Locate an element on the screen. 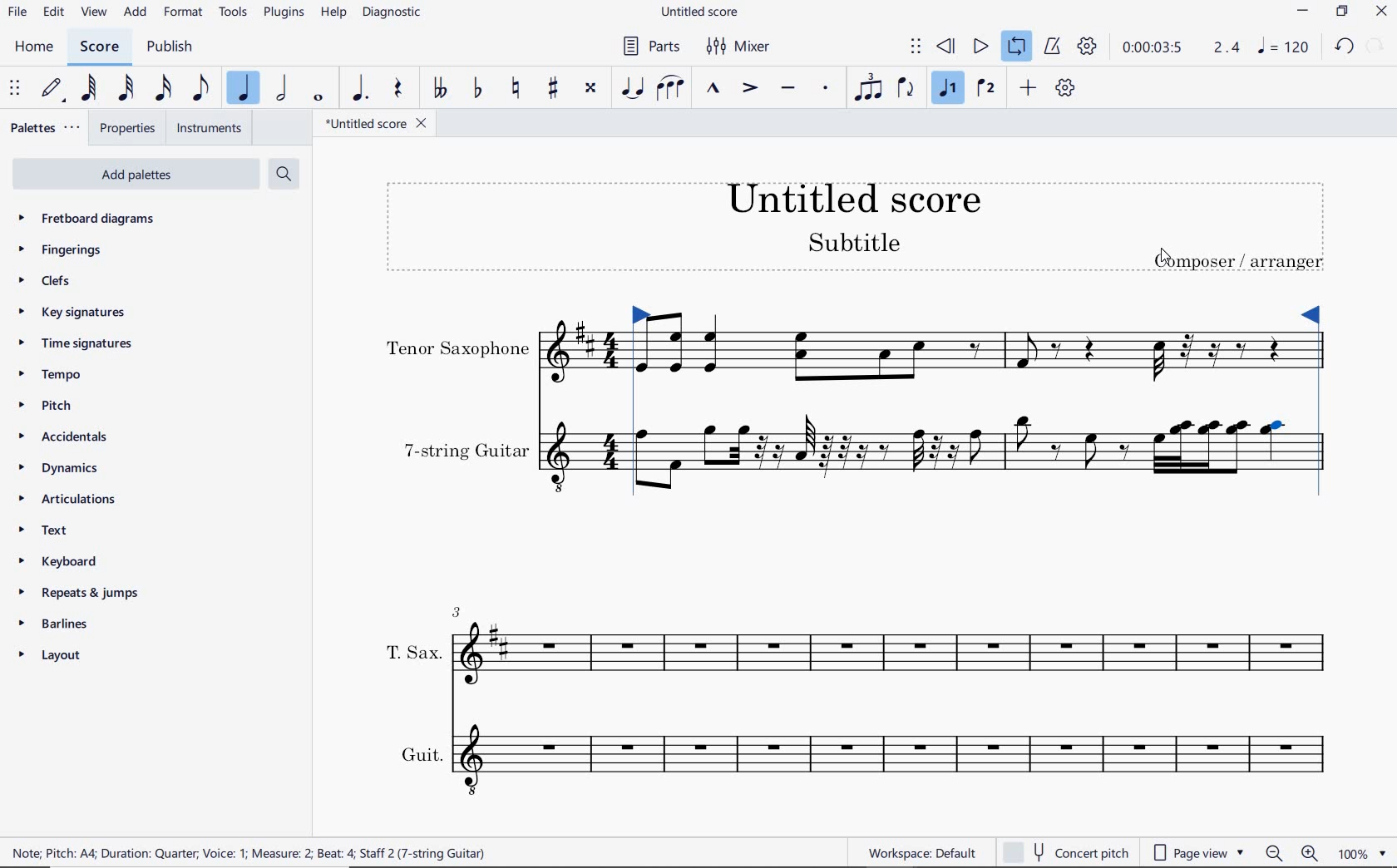 The image size is (1397, 868). 32ND NOTE is located at coordinates (125, 88).